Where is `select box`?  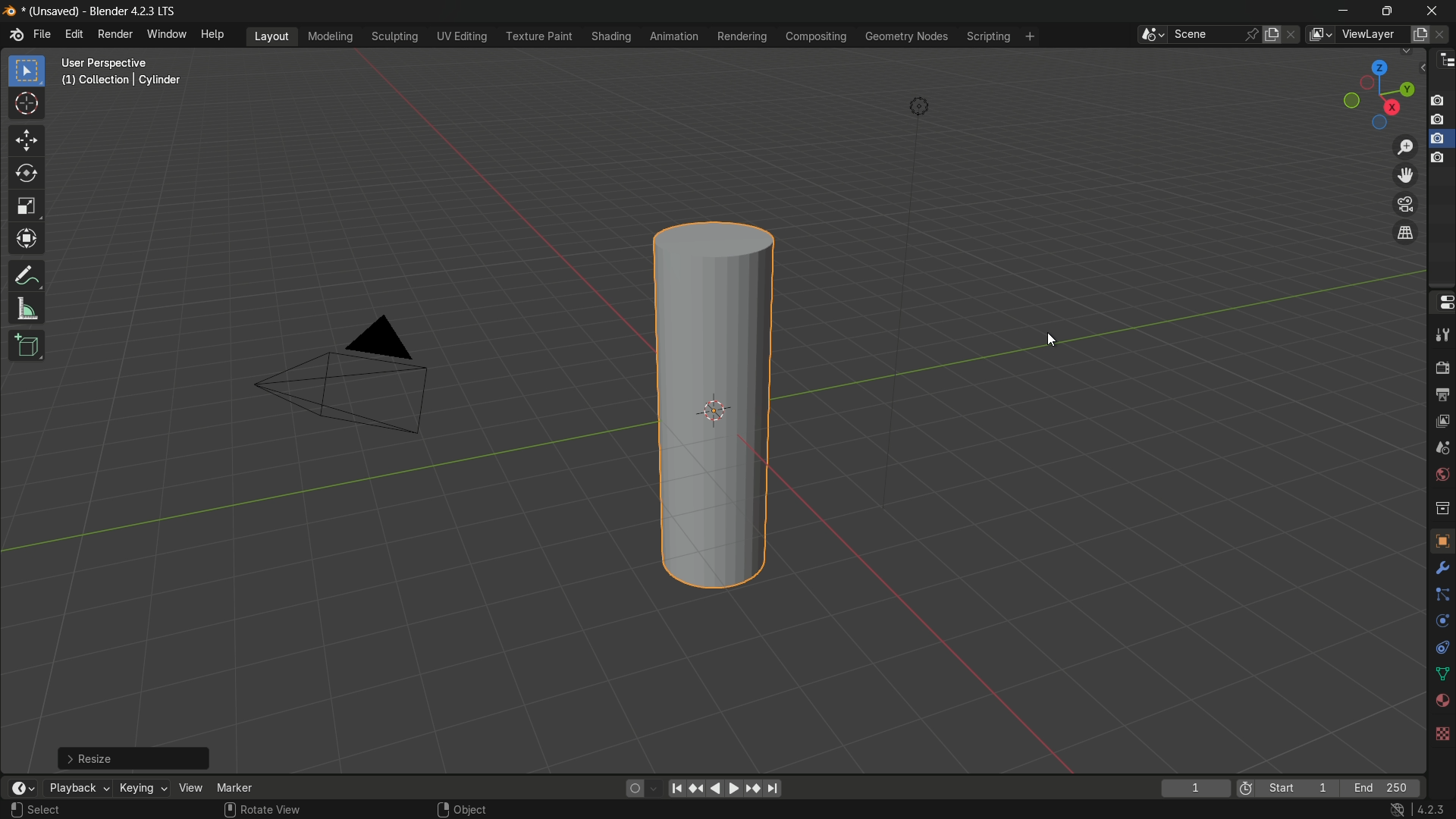
select box is located at coordinates (29, 71).